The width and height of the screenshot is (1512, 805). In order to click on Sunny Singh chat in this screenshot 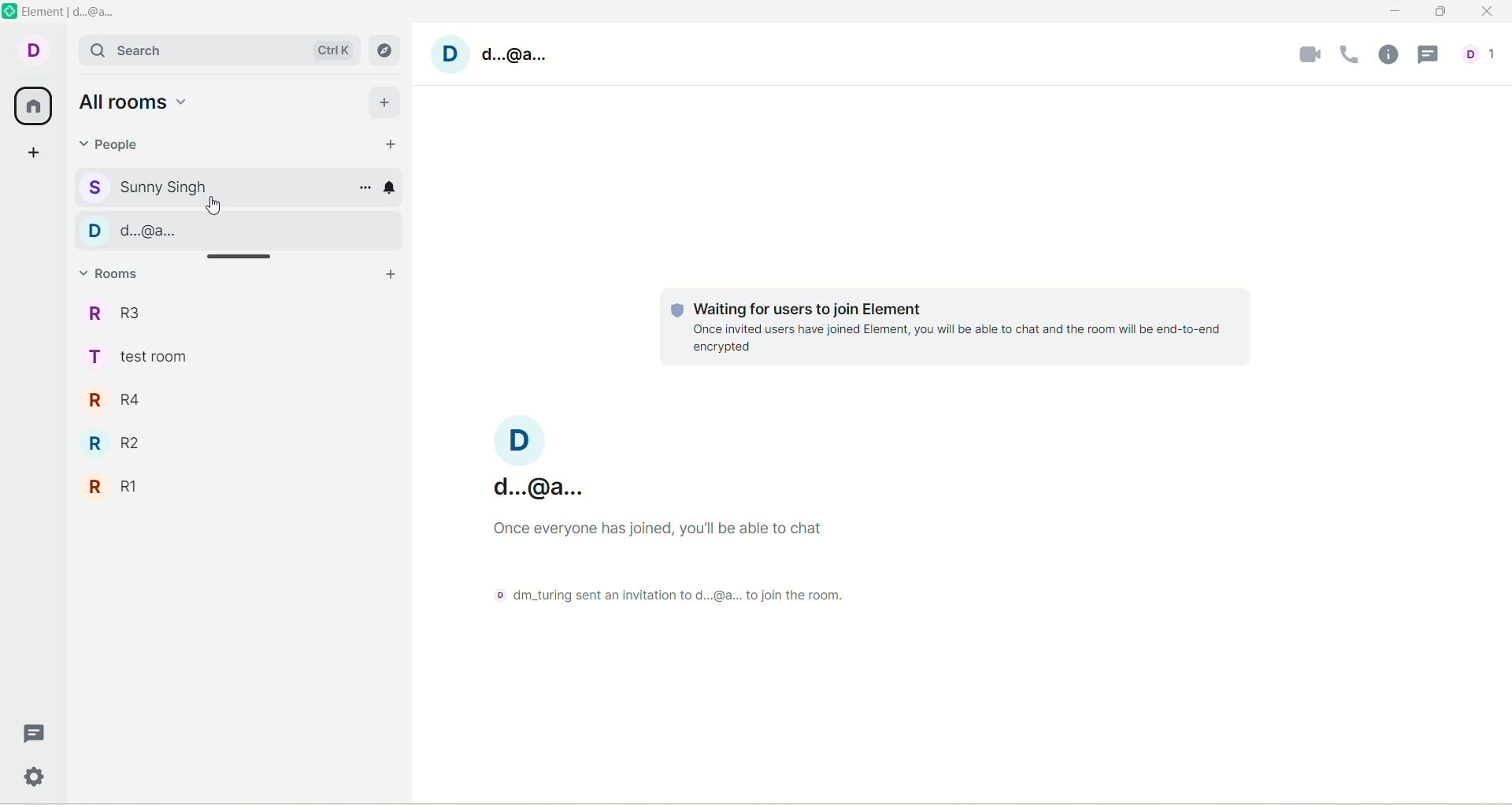, I will do `click(210, 187)`.